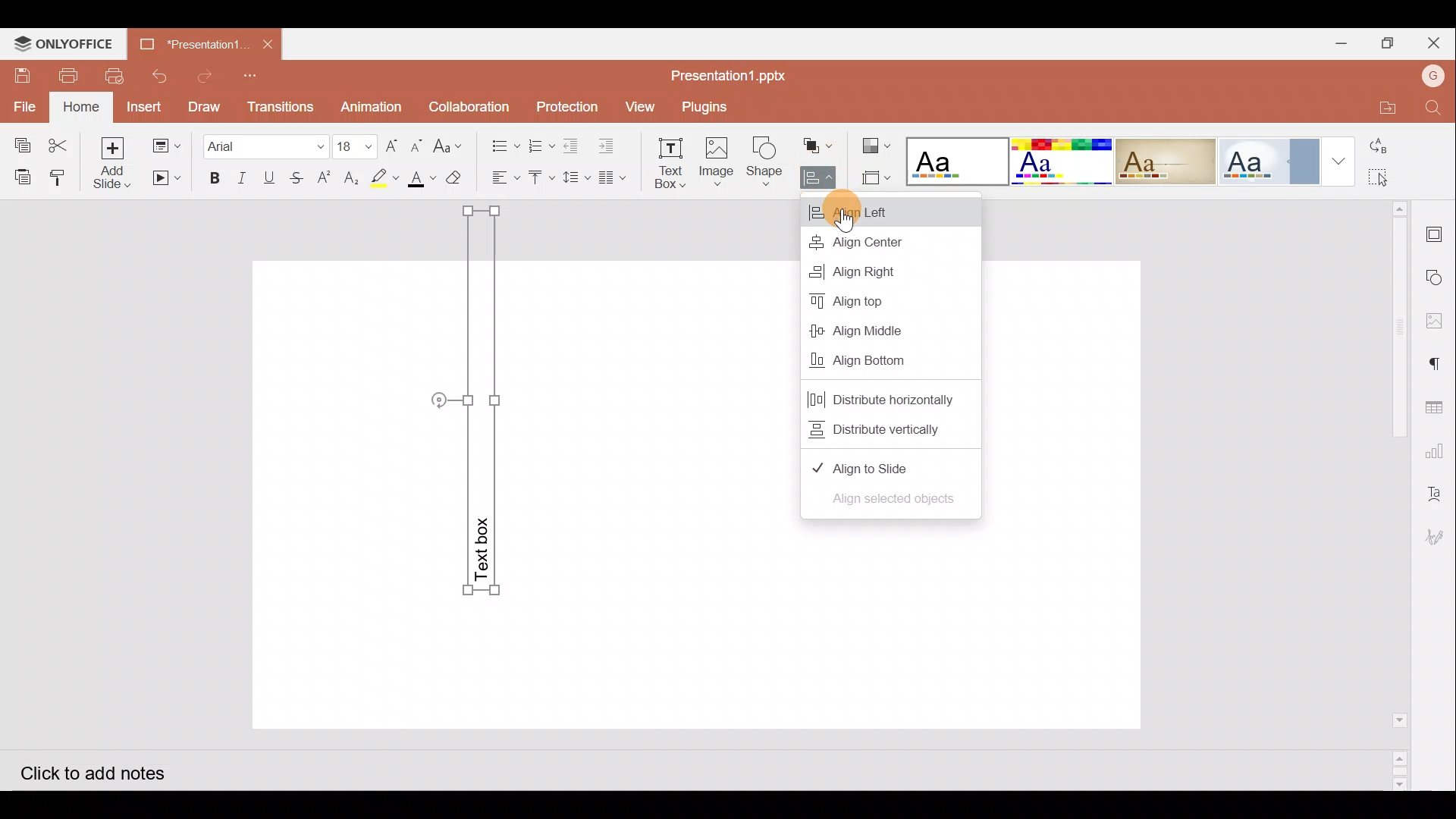  Describe the element at coordinates (1438, 451) in the screenshot. I see `Chart settings` at that location.